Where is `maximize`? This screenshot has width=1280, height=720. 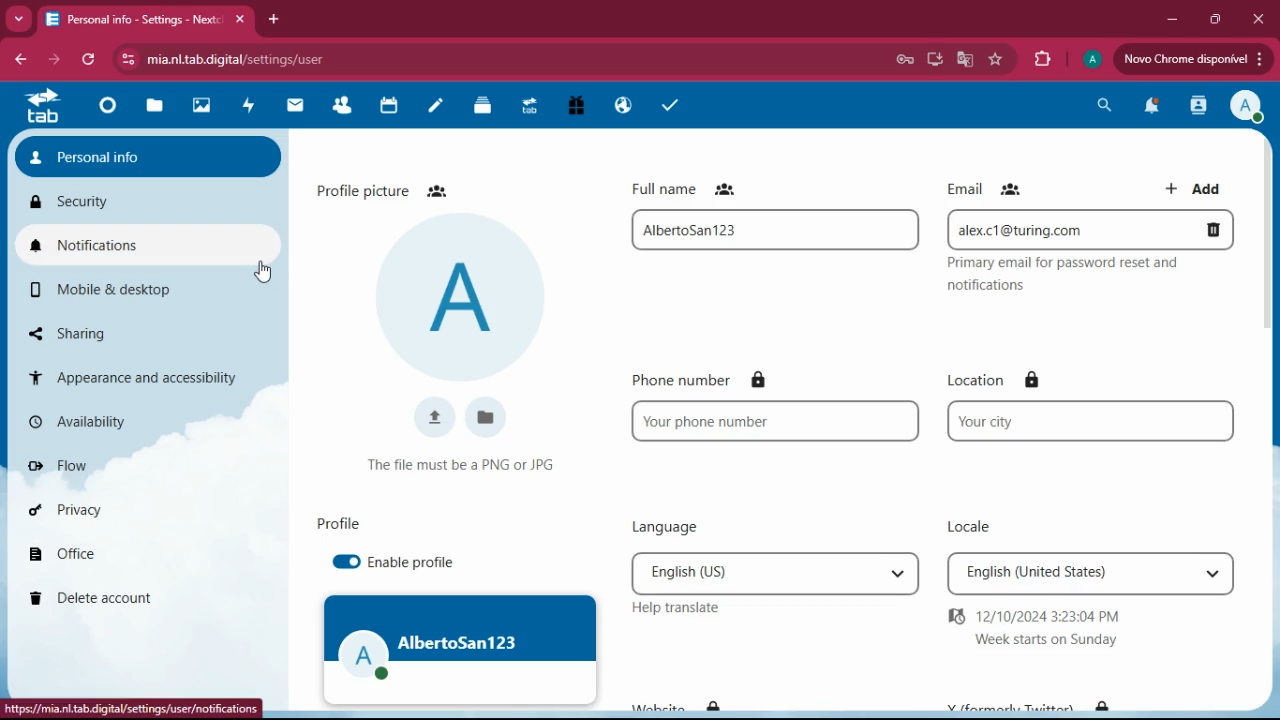
maximize is located at coordinates (1214, 20).